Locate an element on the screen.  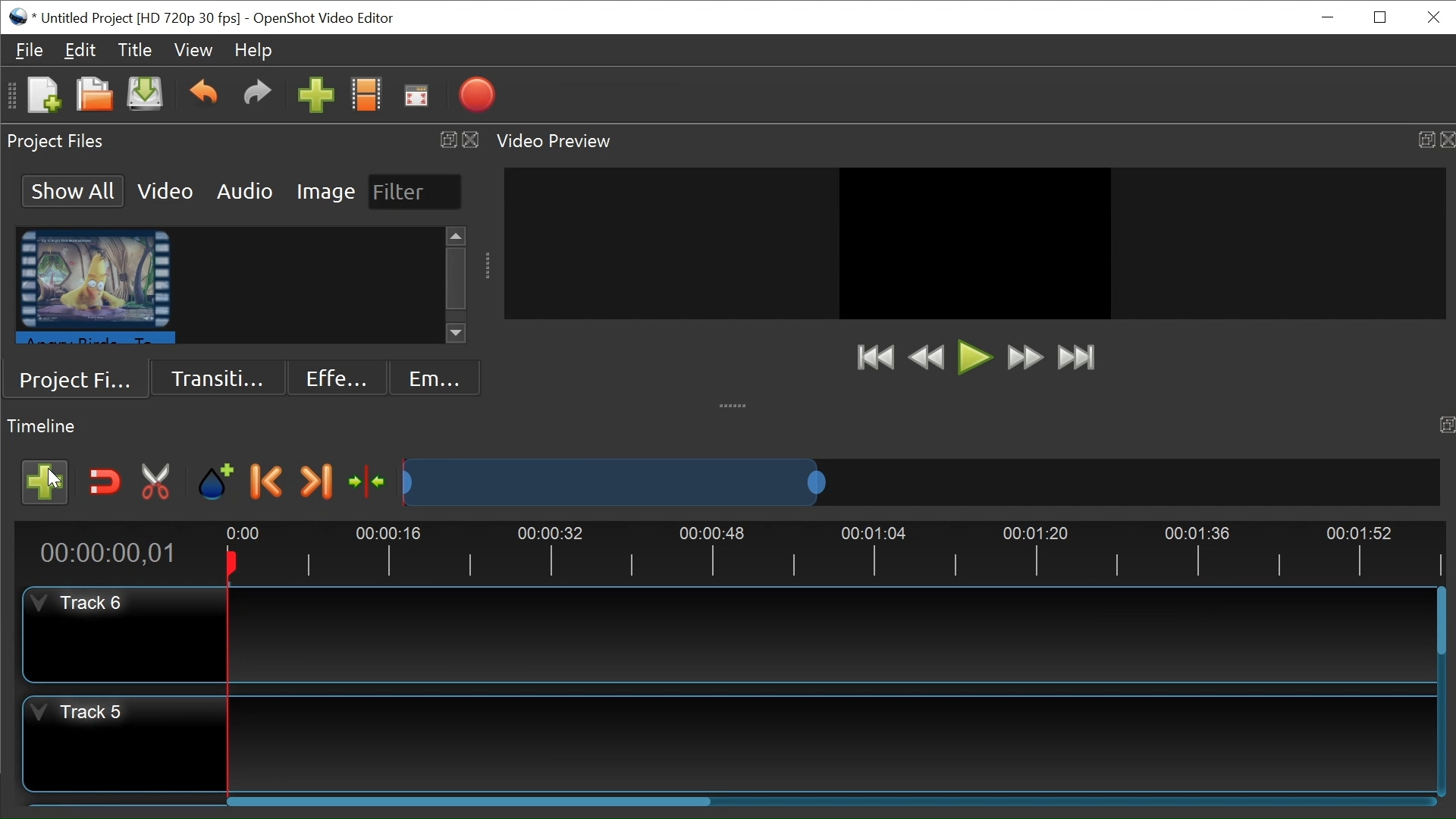
Track Header for Track 5 is located at coordinates (124, 632).